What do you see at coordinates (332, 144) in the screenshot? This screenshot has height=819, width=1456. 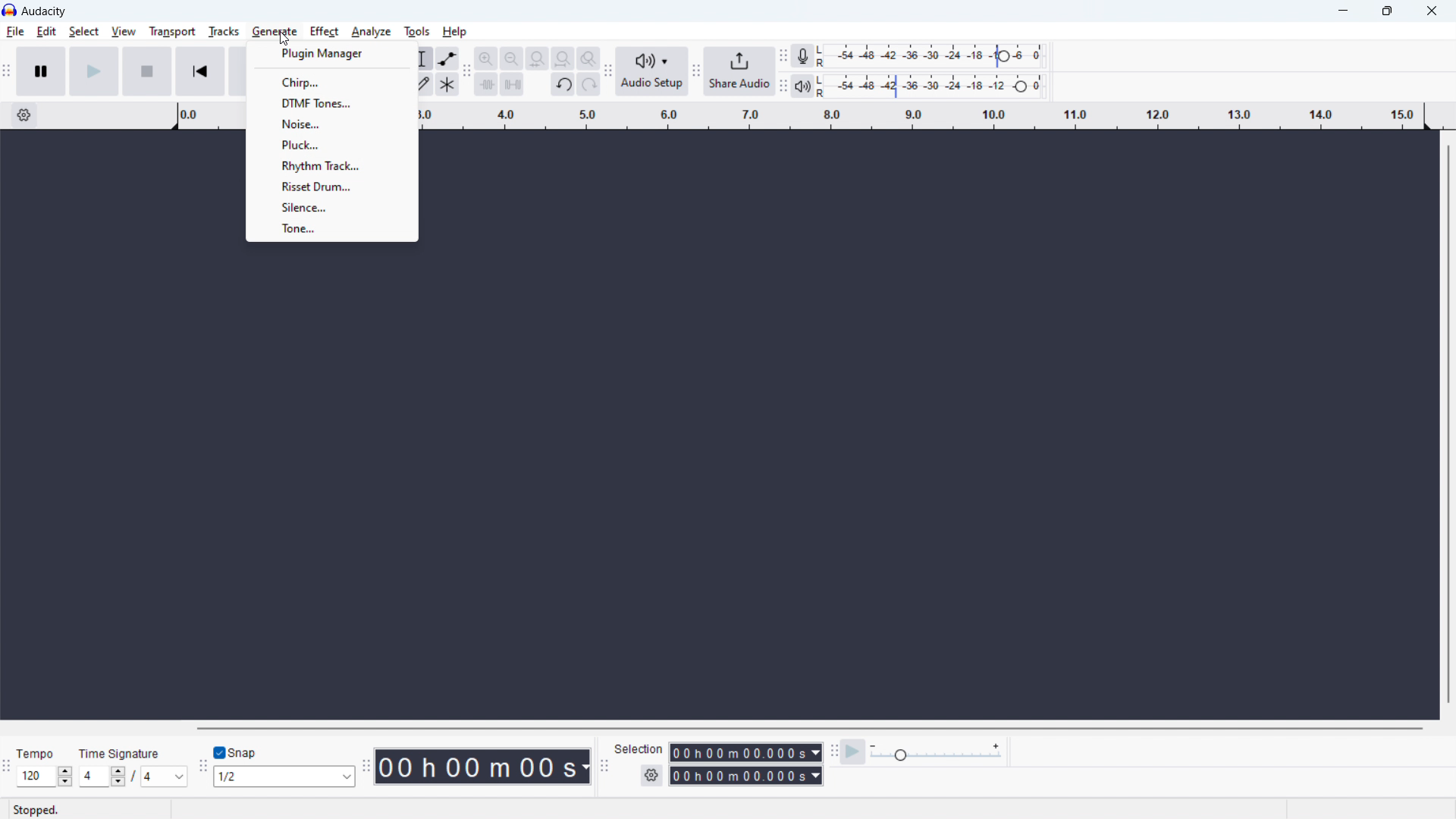 I see `pluck...` at bounding box center [332, 144].